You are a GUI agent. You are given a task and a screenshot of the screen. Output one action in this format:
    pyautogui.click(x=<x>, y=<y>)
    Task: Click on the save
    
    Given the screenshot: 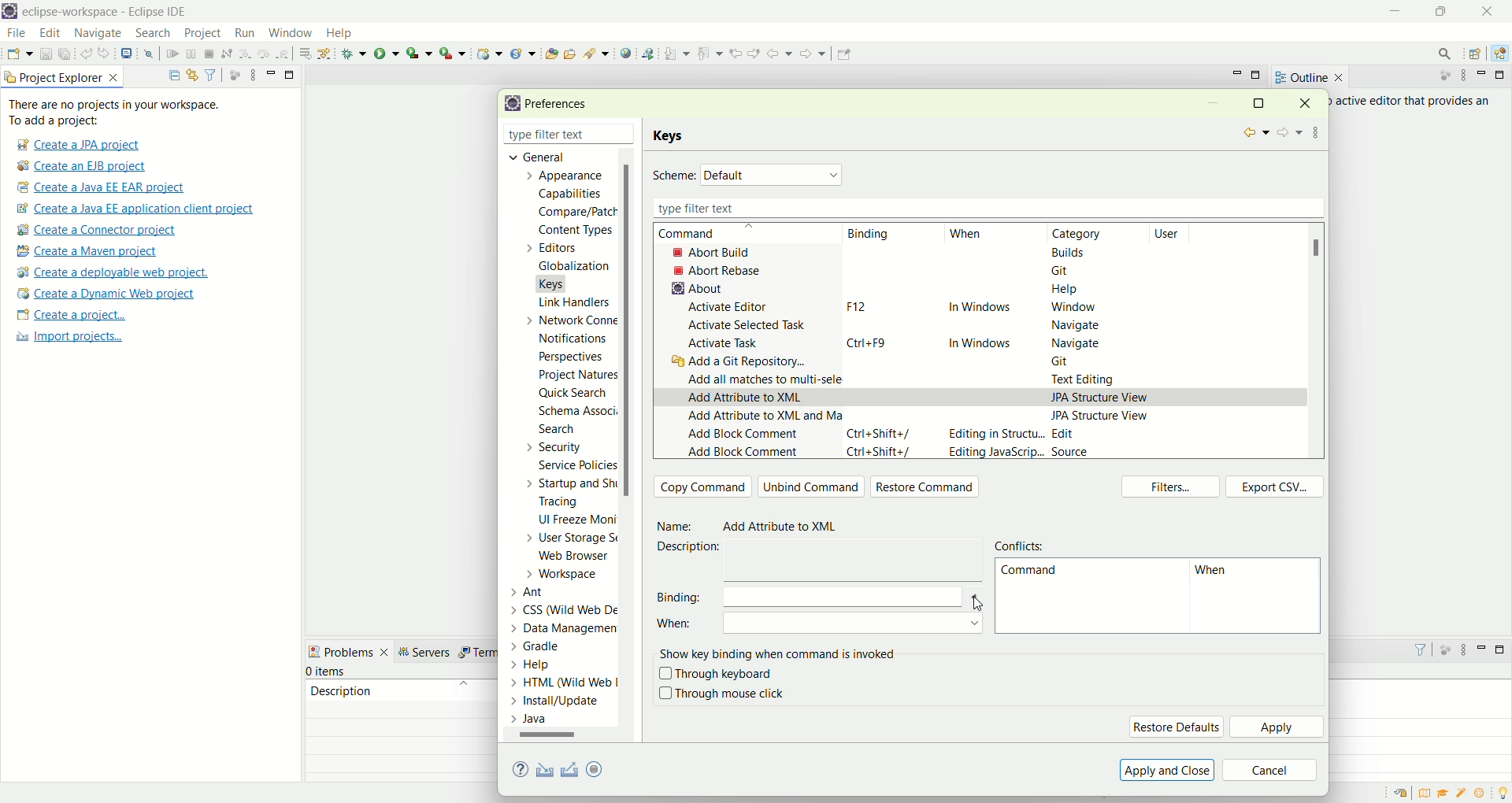 What is the action you would take?
    pyautogui.click(x=47, y=54)
    